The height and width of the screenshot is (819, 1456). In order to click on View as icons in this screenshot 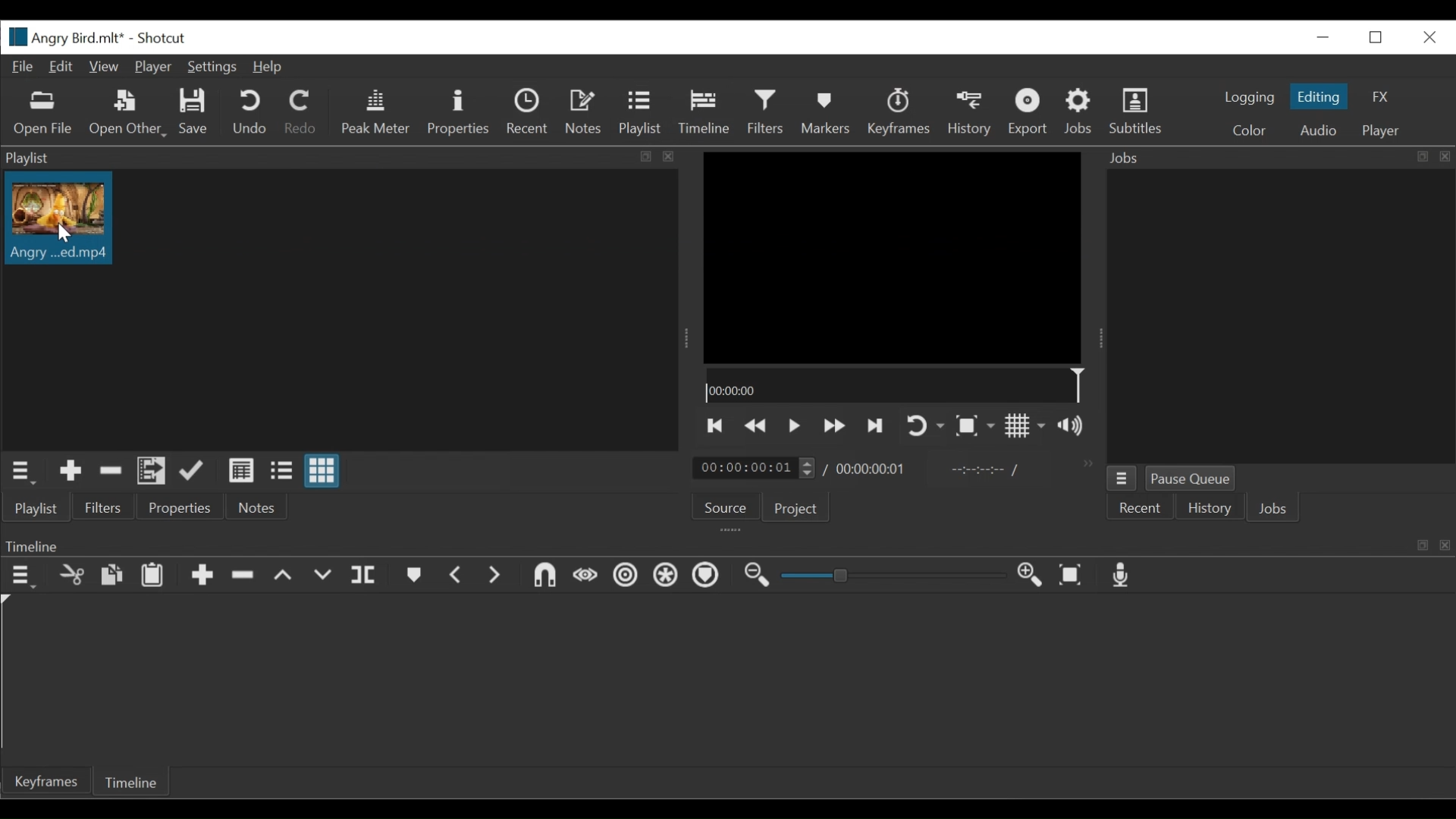, I will do `click(321, 472)`.